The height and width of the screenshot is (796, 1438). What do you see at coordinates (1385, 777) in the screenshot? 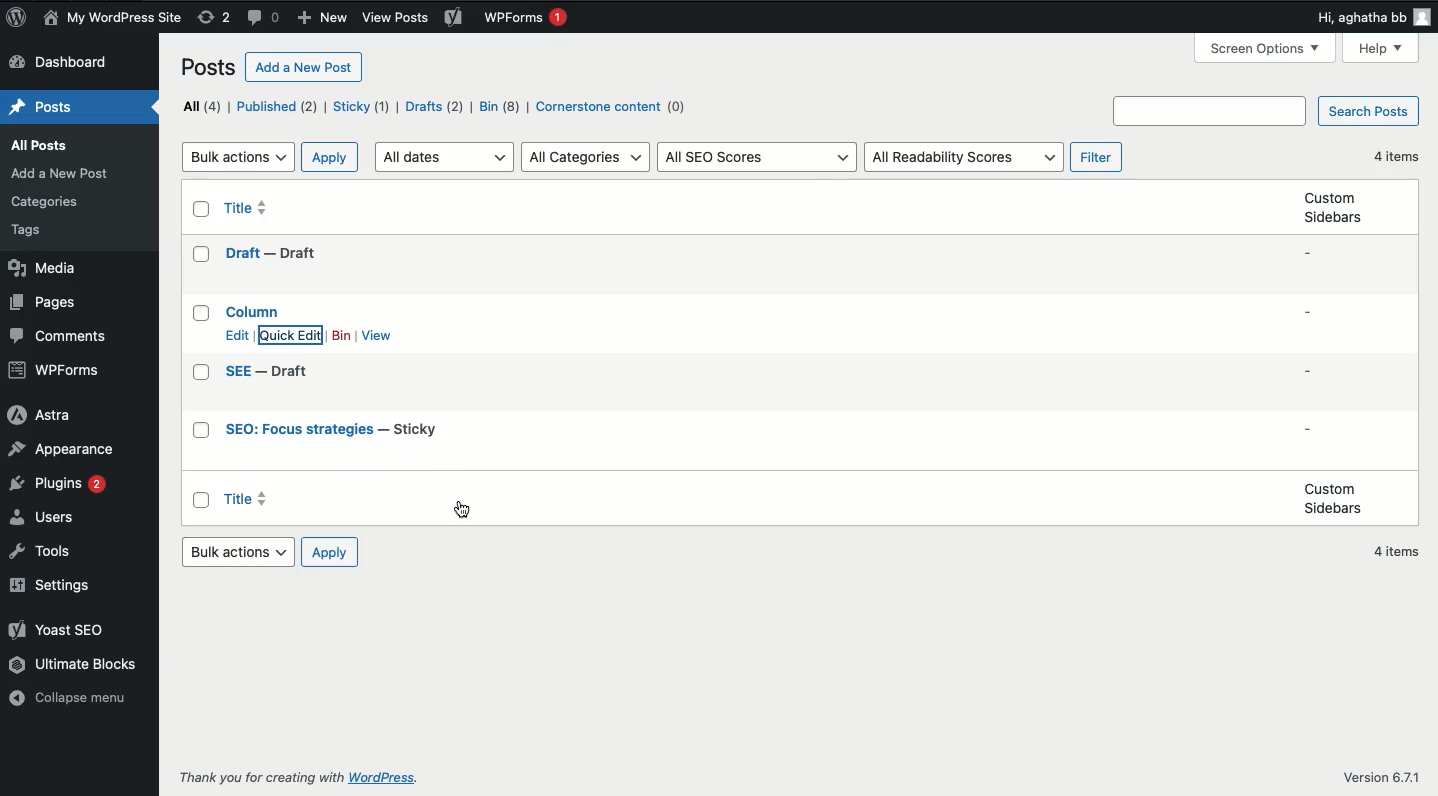
I see `` at bounding box center [1385, 777].